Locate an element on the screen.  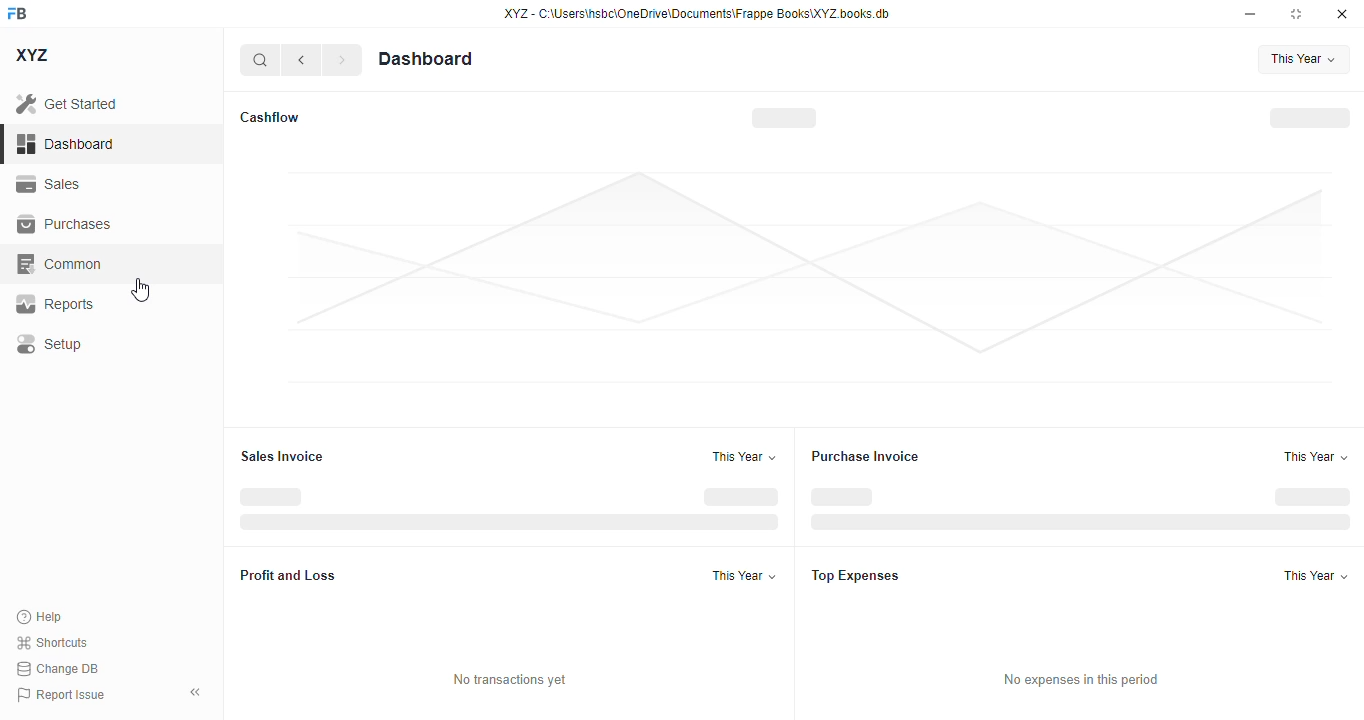
this year is located at coordinates (1305, 60).